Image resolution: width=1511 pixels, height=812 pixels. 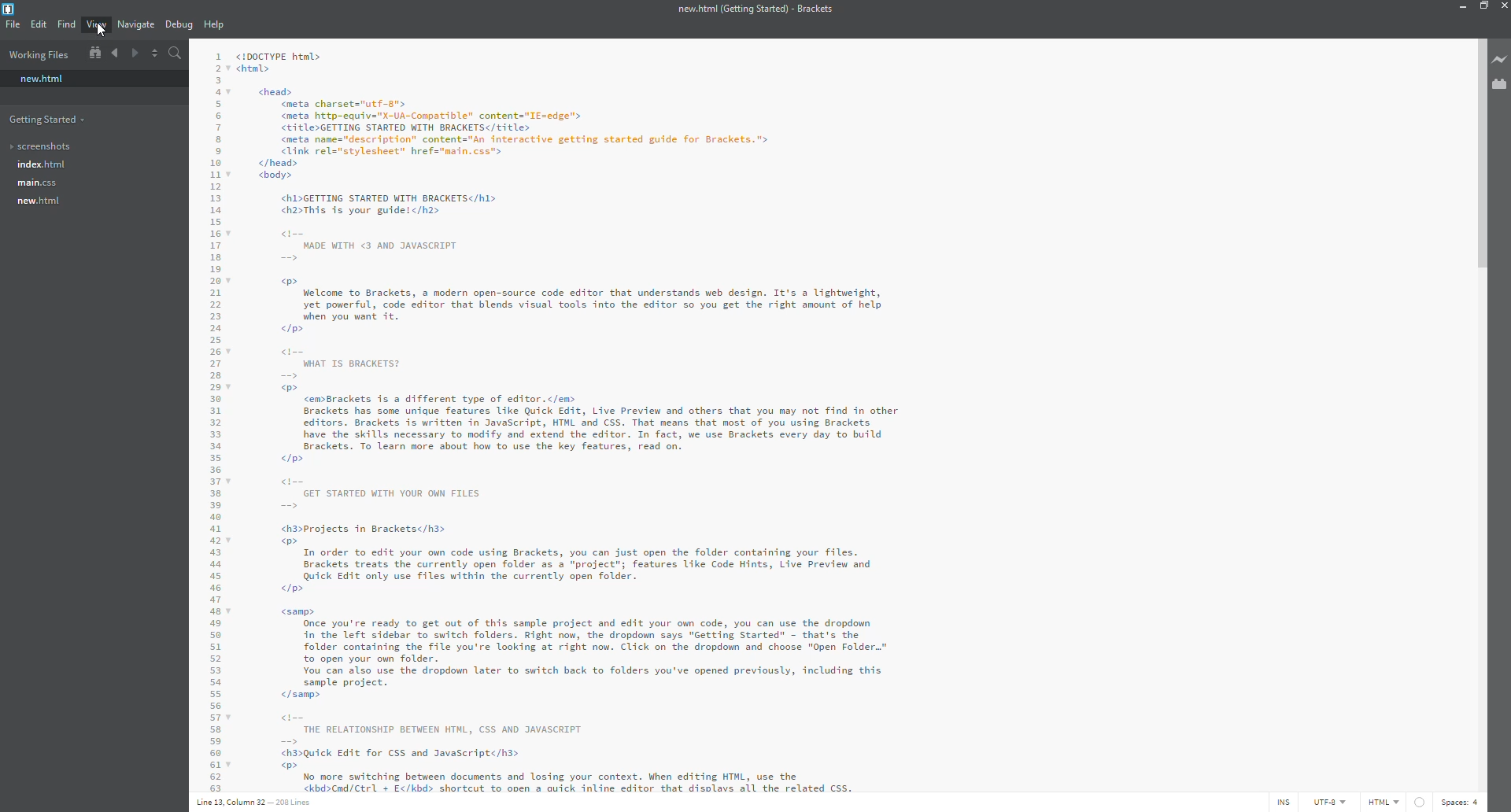 I want to click on brackets, so click(x=753, y=10).